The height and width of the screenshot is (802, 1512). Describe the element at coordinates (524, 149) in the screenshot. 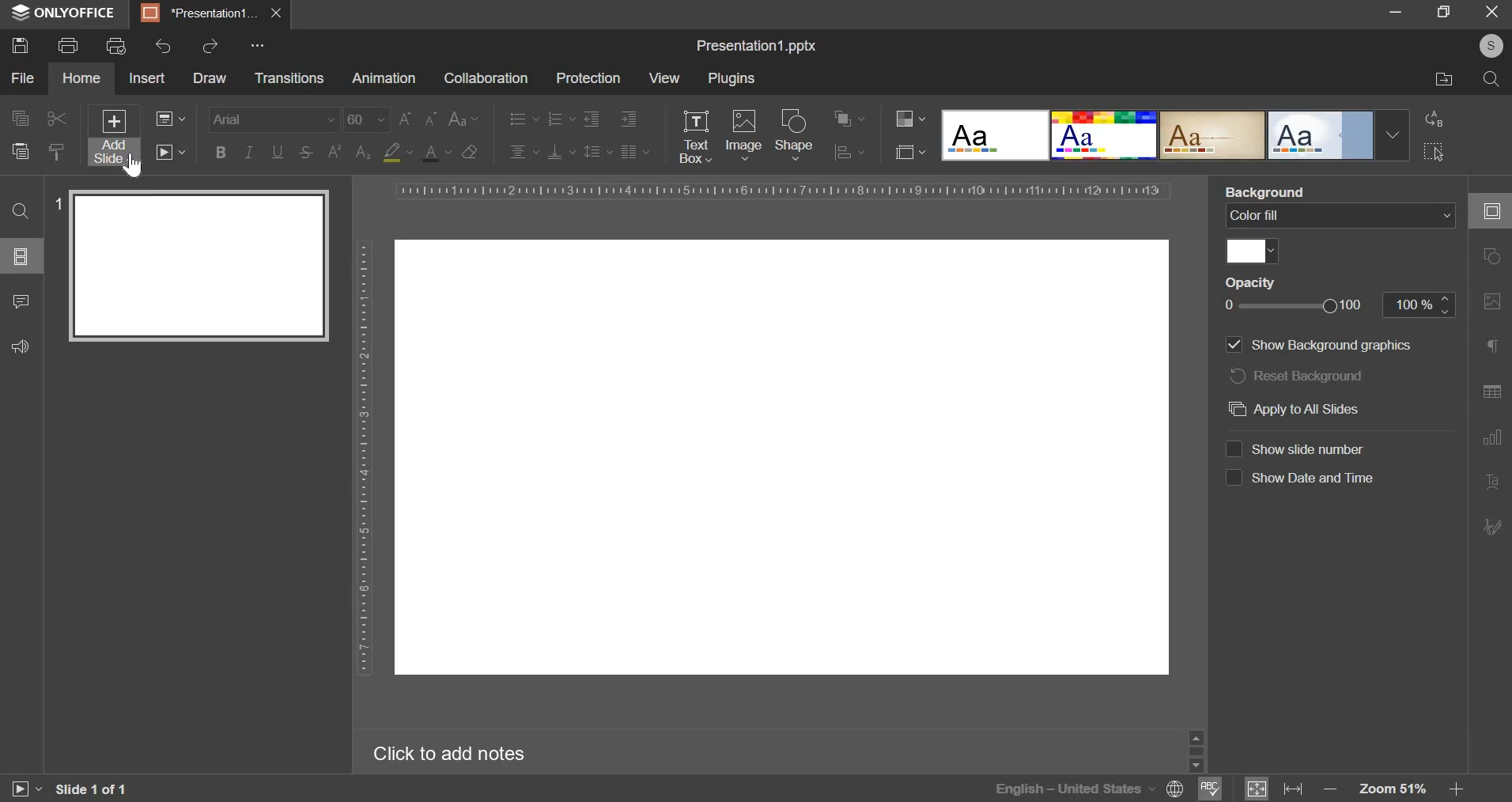

I see `horizontal alignment` at that location.